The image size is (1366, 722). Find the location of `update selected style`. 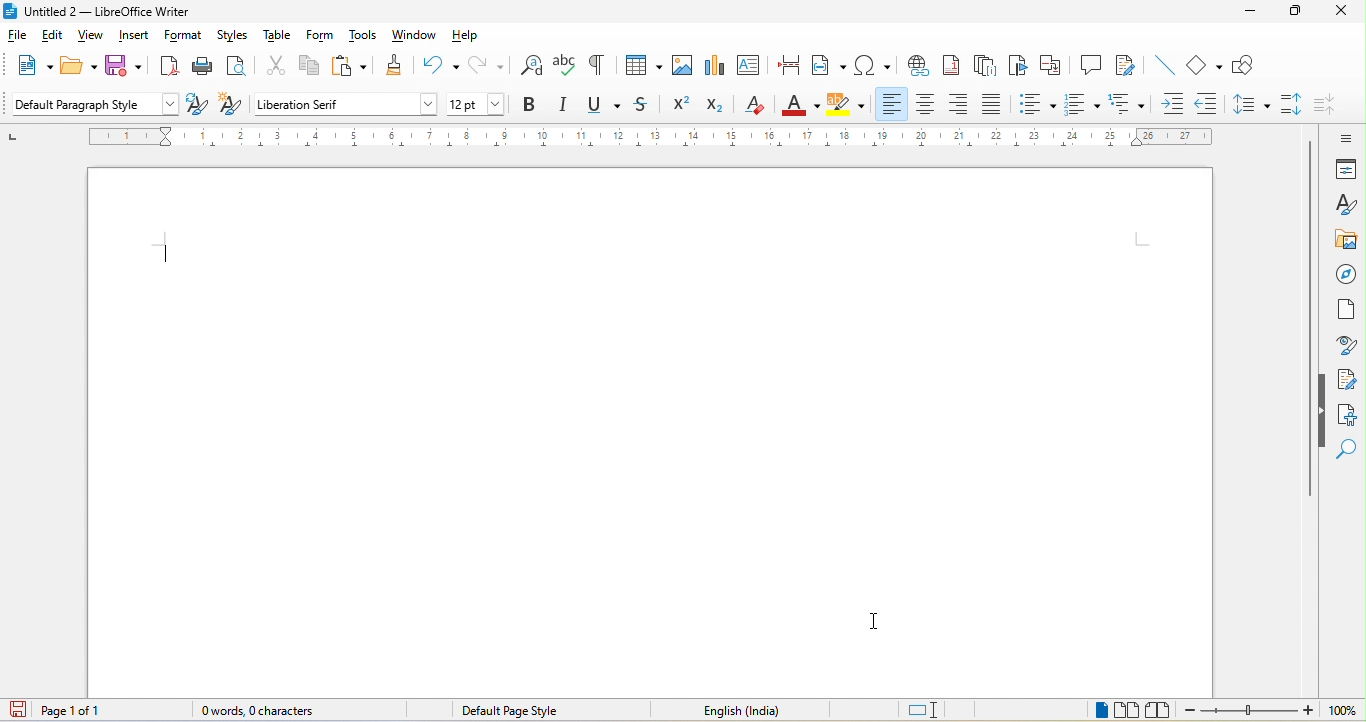

update selected style is located at coordinates (195, 106).